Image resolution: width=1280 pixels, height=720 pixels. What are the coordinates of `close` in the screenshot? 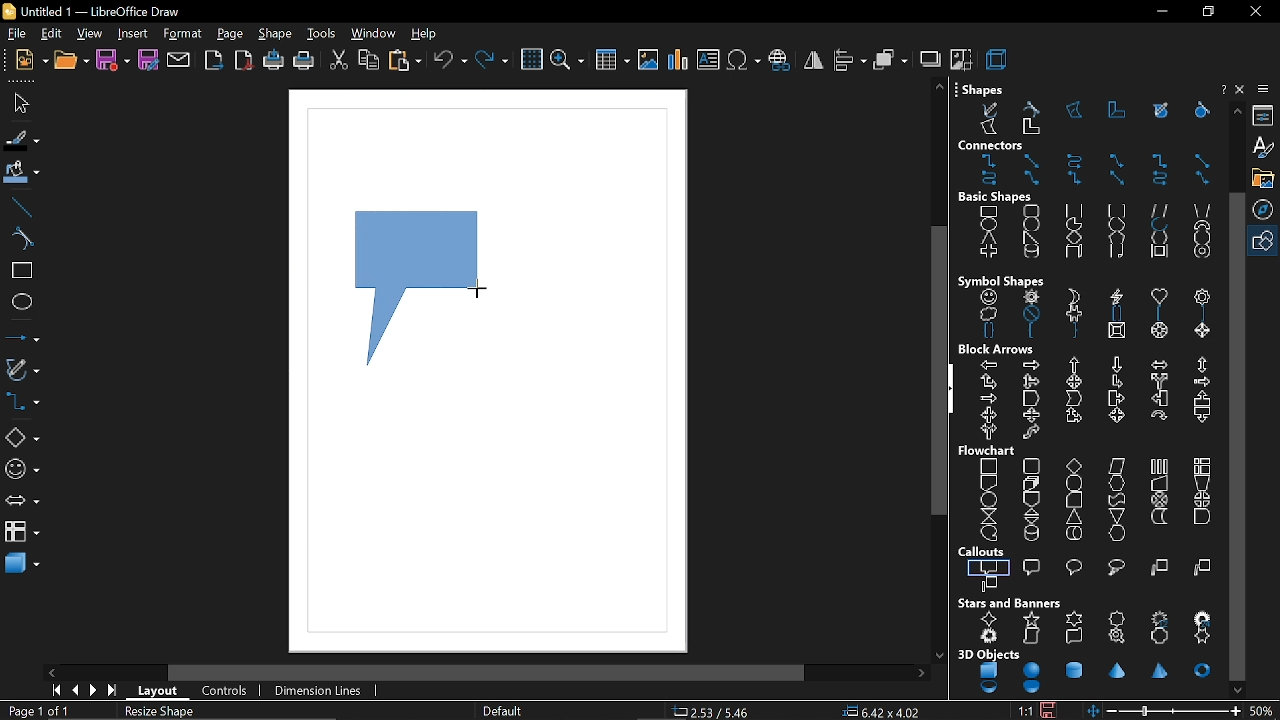 It's located at (1241, 90).